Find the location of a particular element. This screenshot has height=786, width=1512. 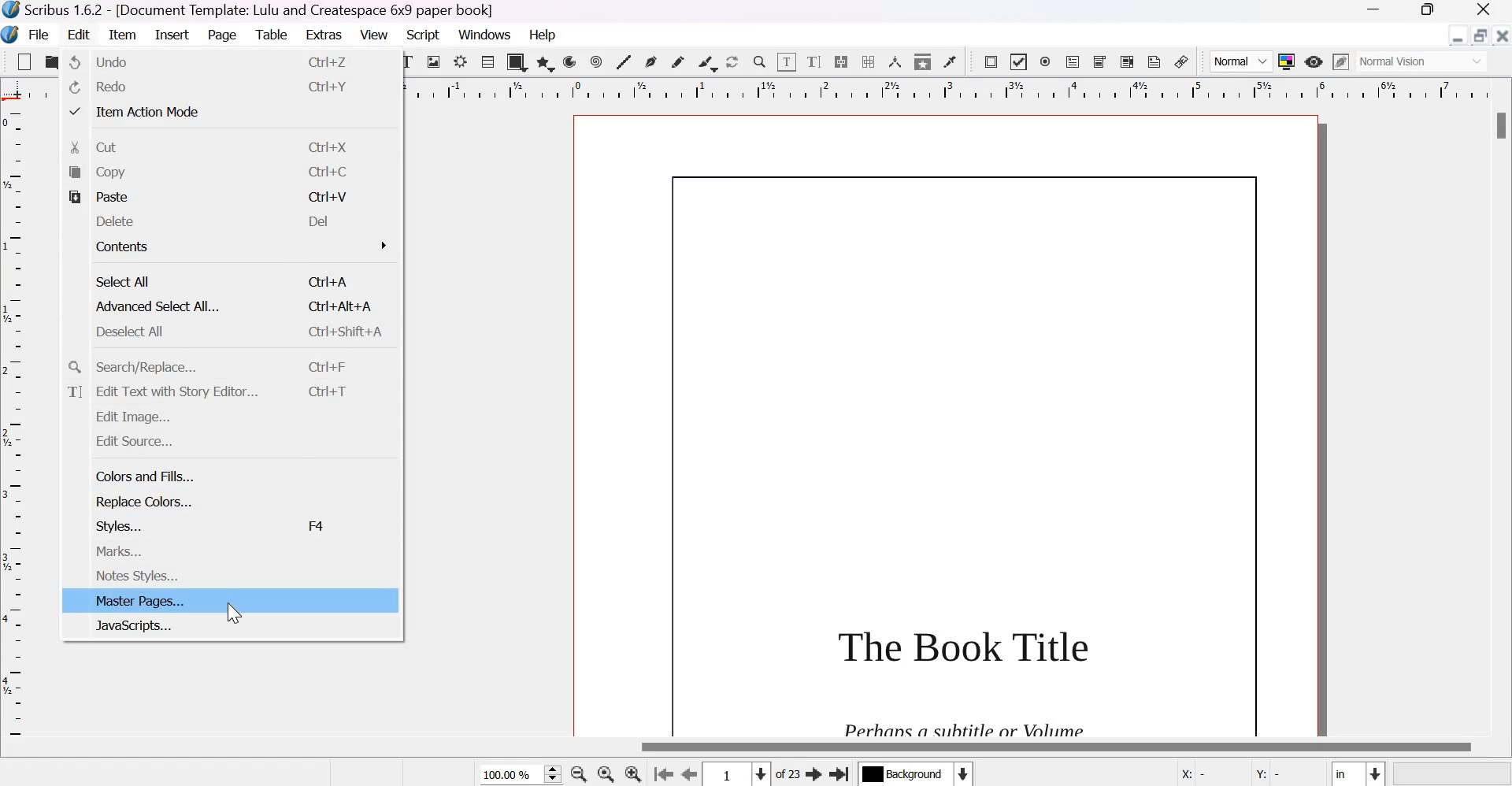

shapes is located at coordinates (516, 62).